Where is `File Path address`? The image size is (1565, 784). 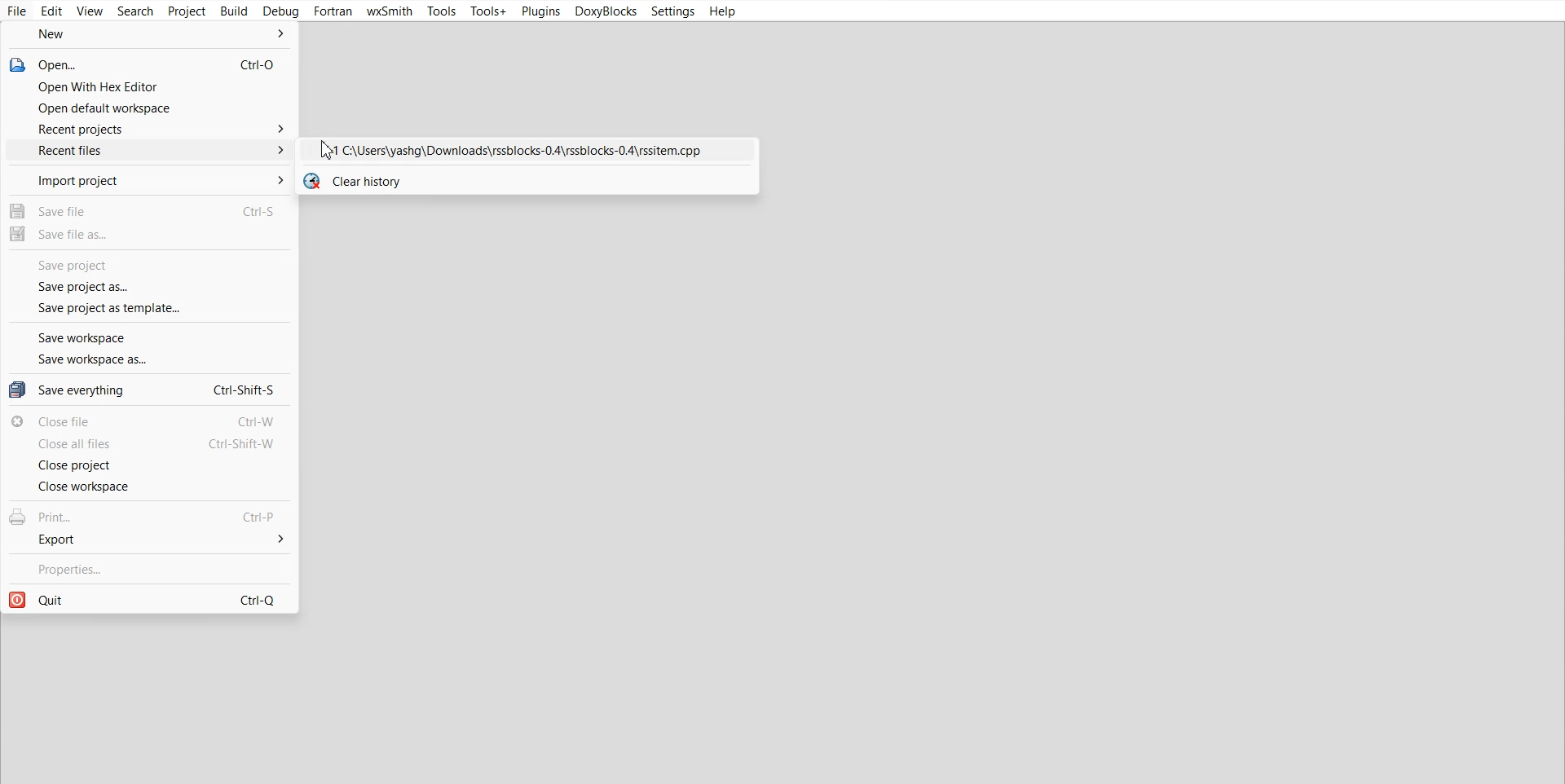
File Path address is located at coordinates (526, 152).